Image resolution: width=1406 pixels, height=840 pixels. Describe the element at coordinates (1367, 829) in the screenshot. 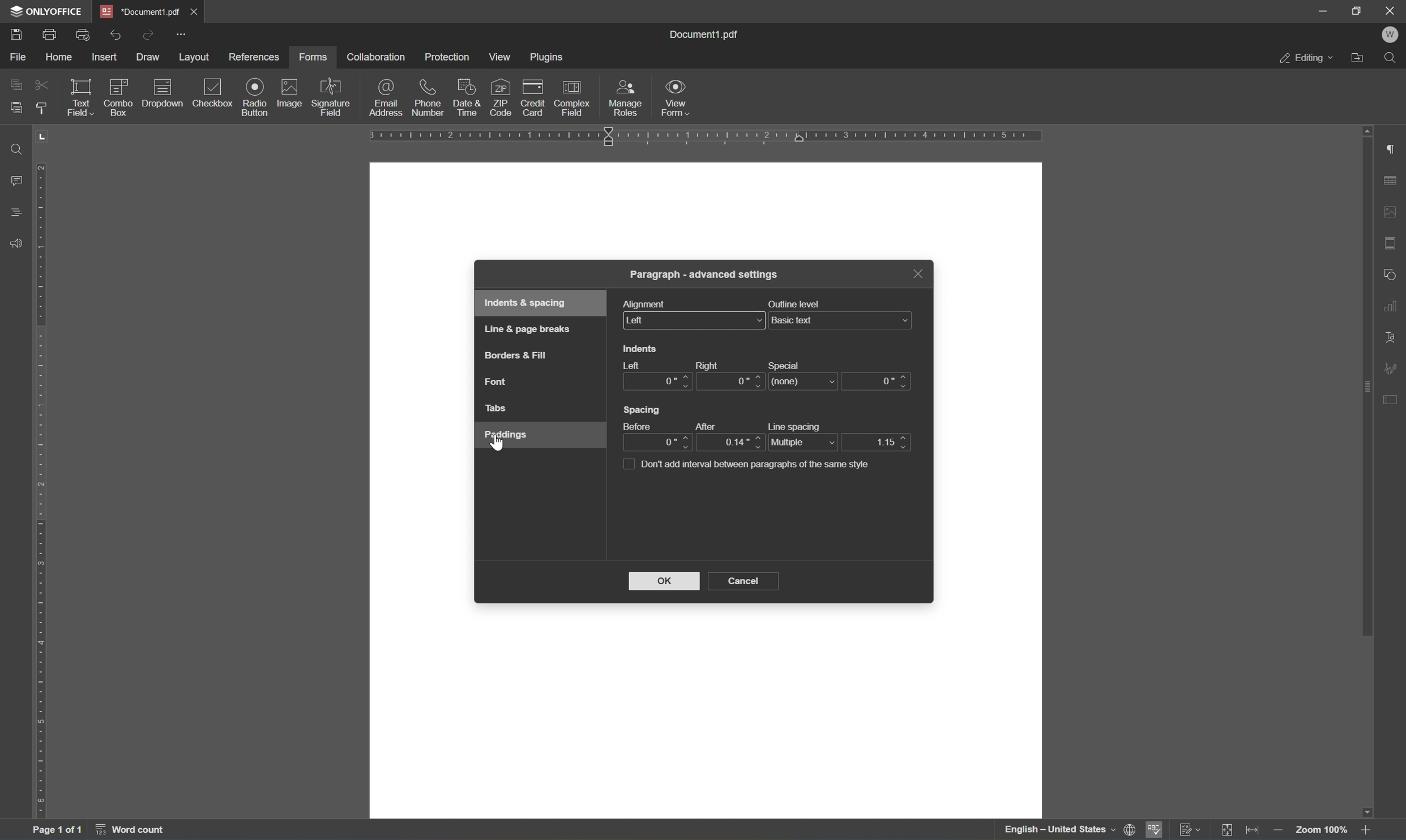

I see `zoom in` at that location.